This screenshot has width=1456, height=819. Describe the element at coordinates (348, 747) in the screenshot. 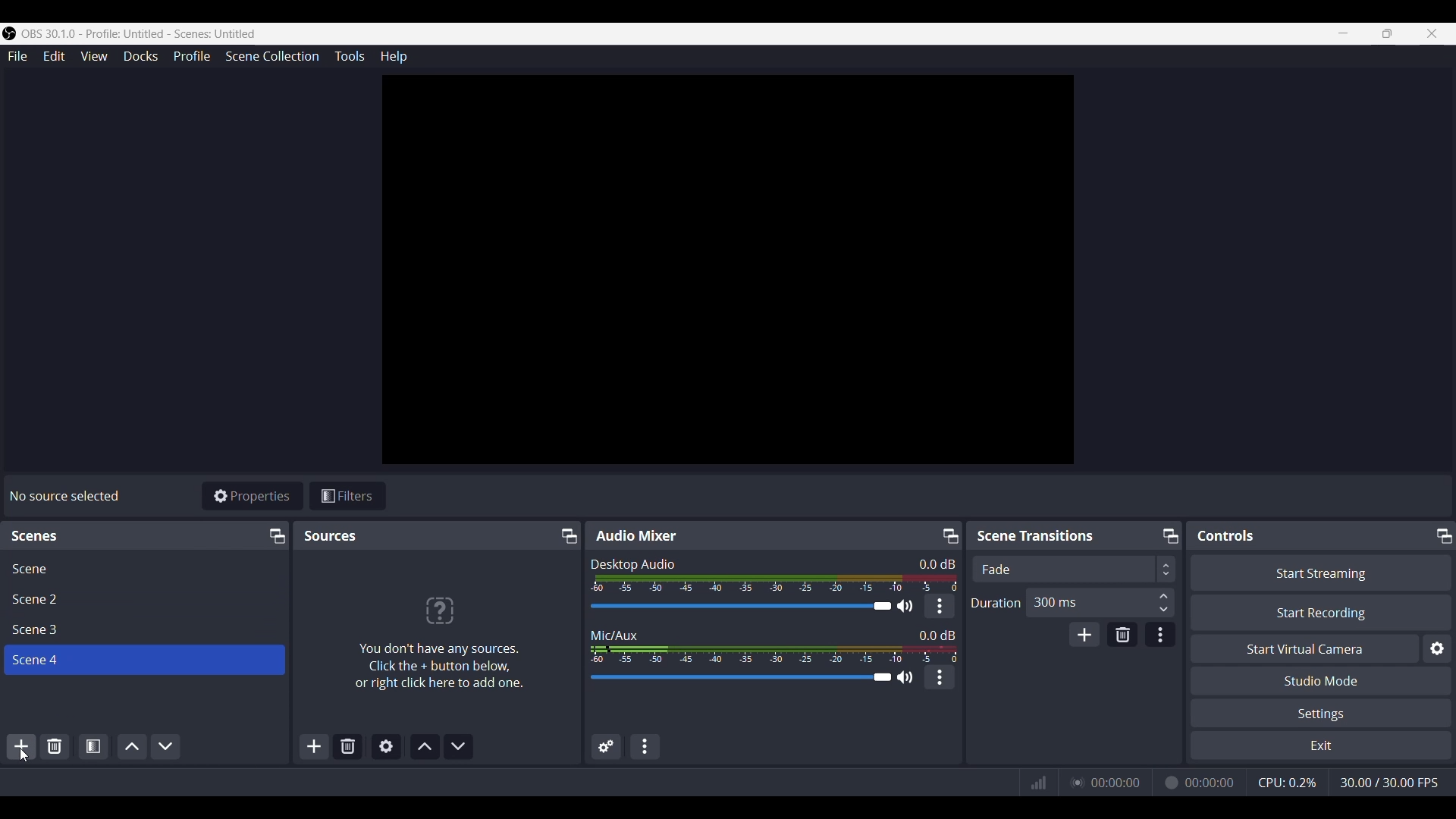

I see `Remove Selected Source` at that location.